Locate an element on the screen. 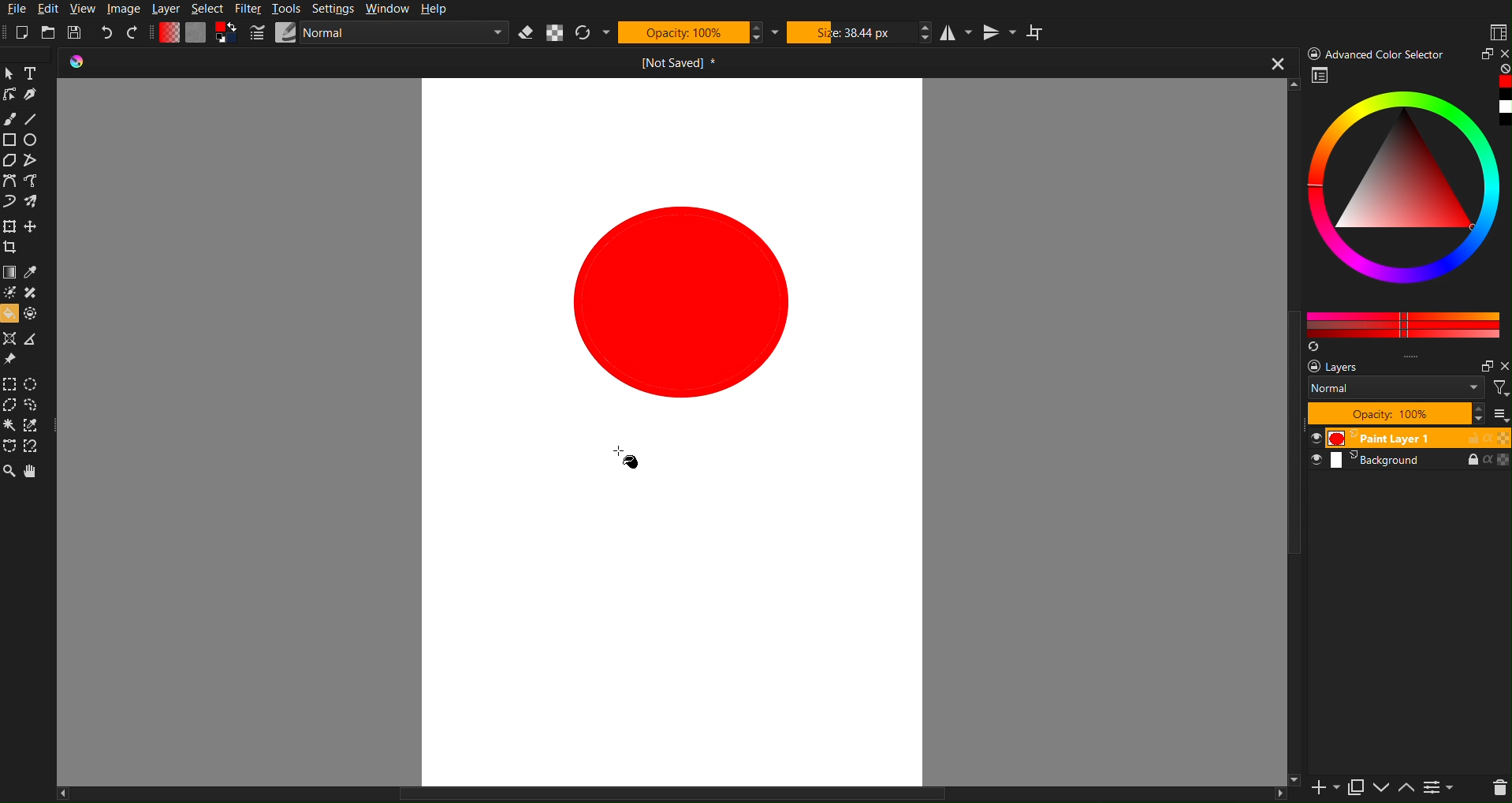  Settings is located at coordinates (333, 9).